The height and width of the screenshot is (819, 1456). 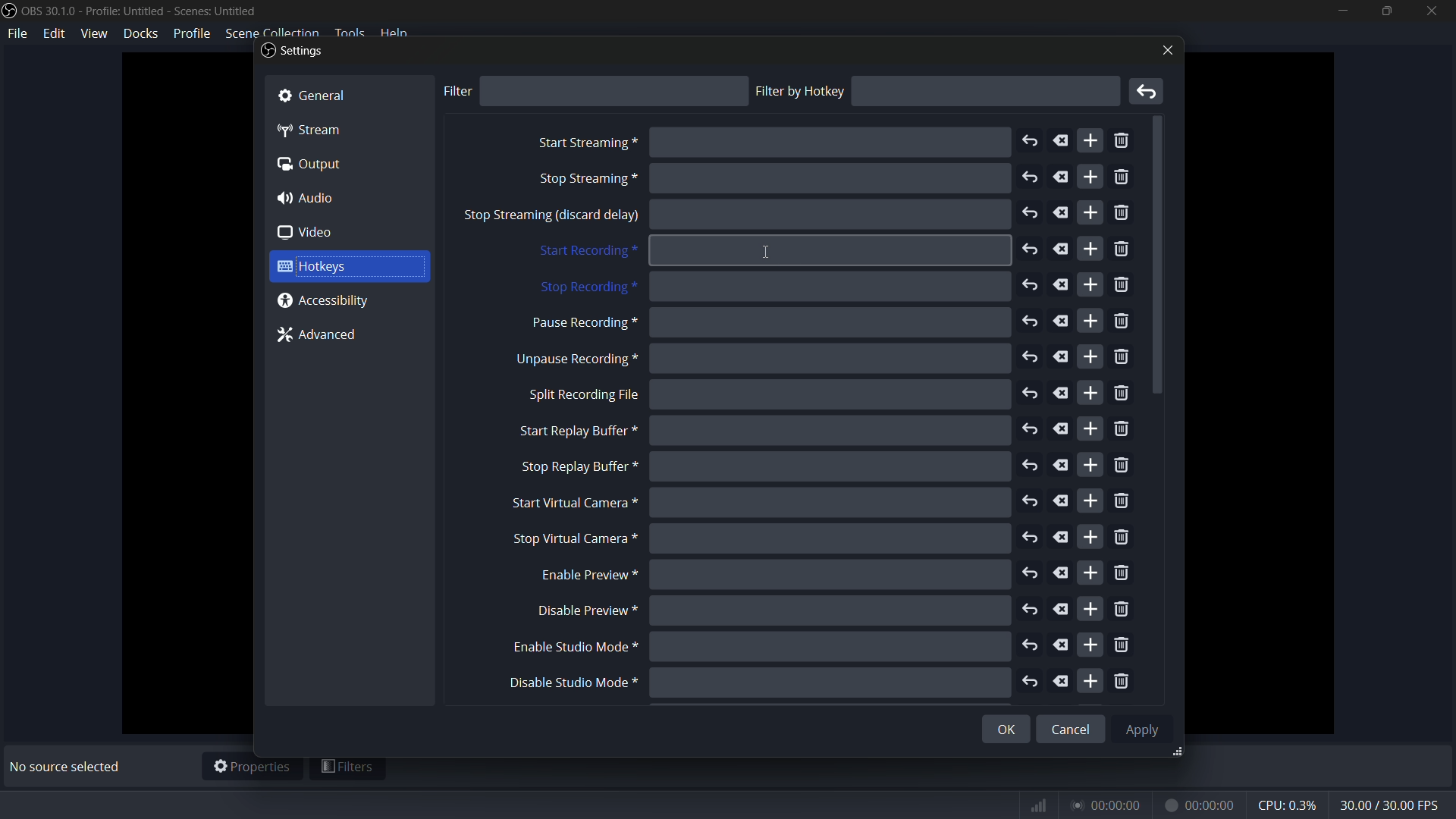 What do you see at coordinates (252, 767) in the screenshot?
I see `properties` at bounding box center [252, 767].